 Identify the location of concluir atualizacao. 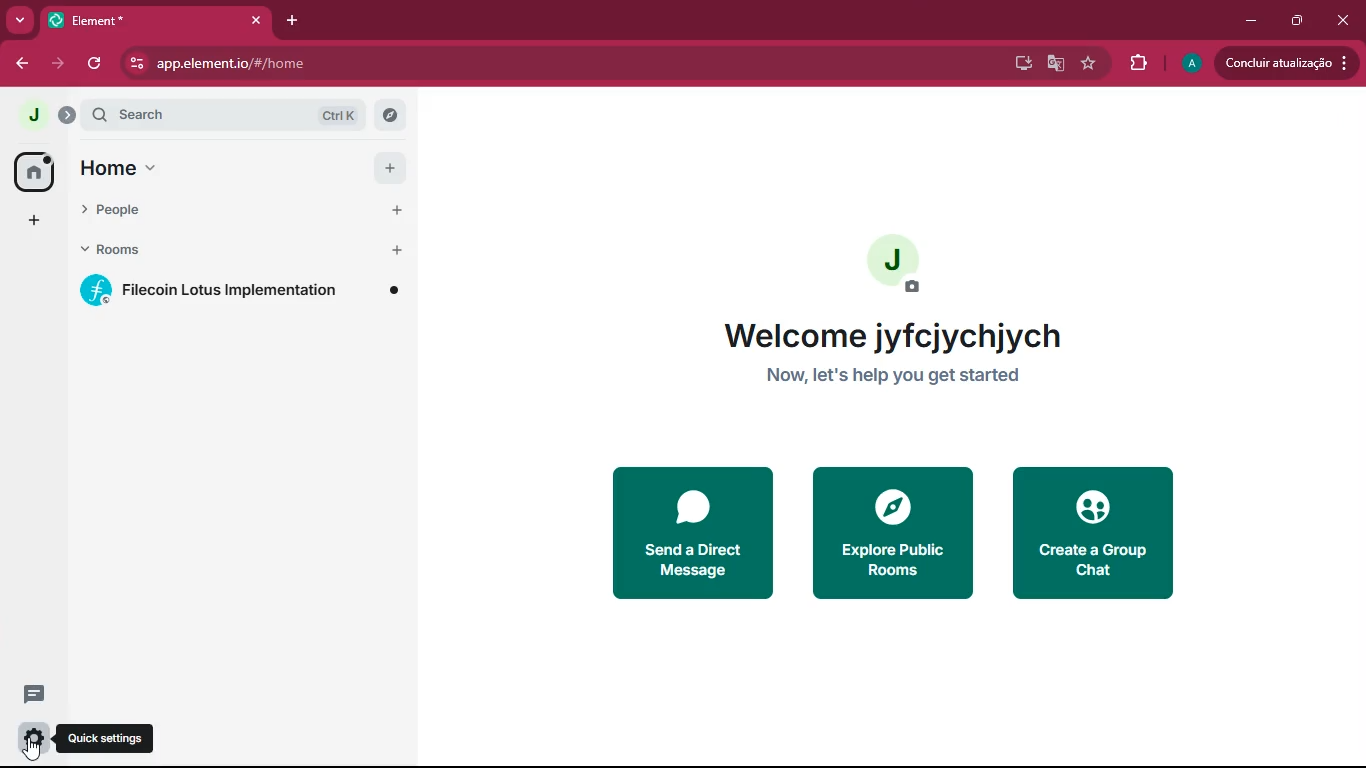
(1286, 62).